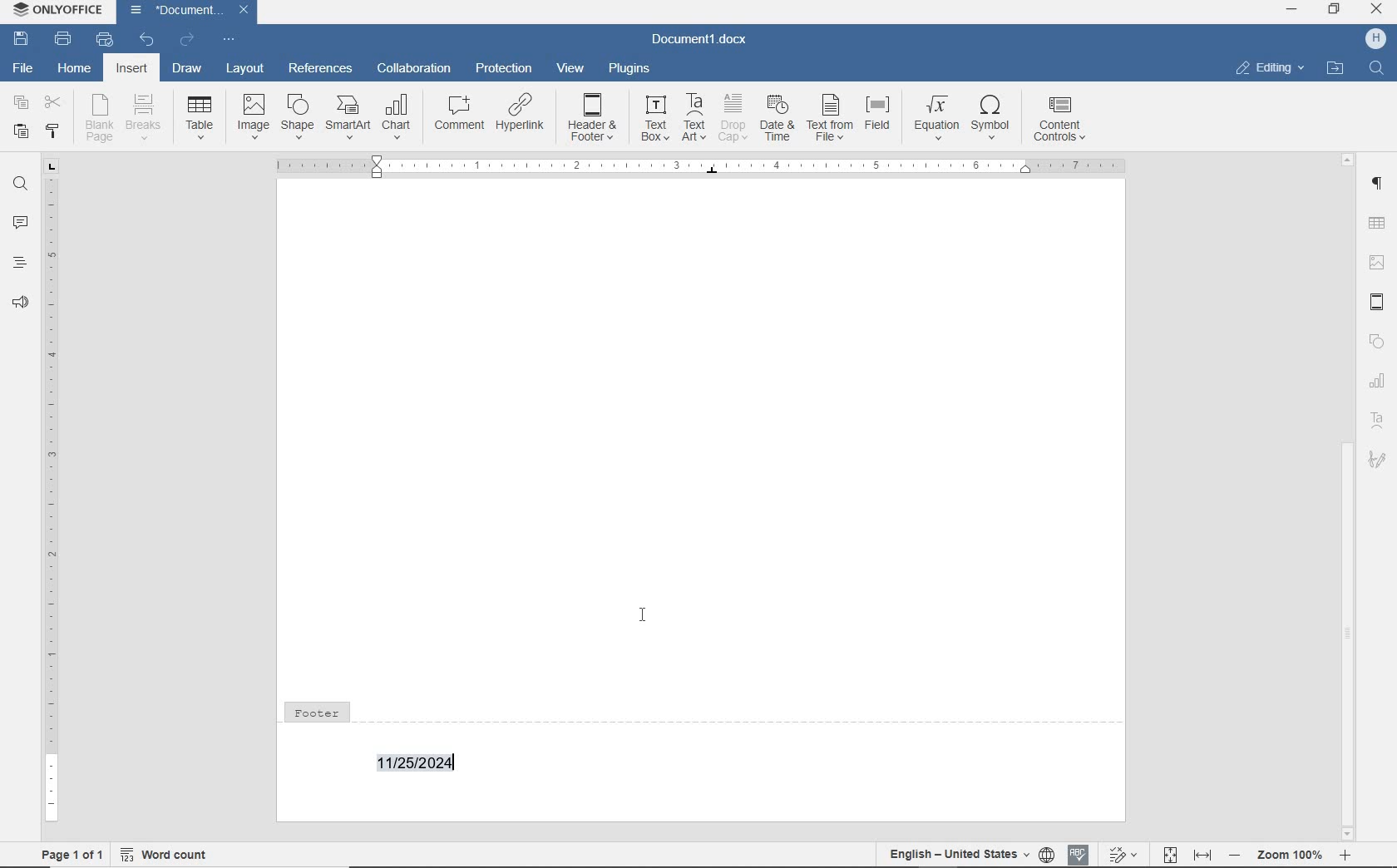  What do you see at coordinates (420, 767) in the screenshot?
I see `11/25/2024` at bounding box center [420, 767].